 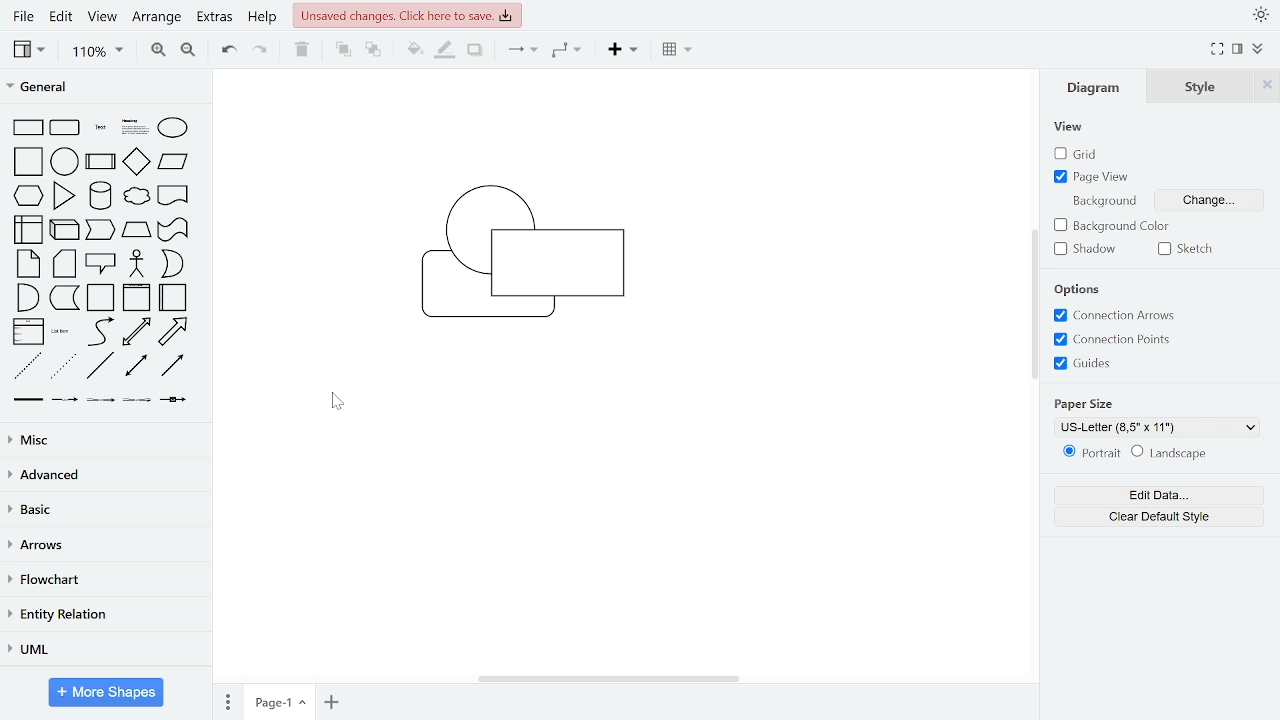 What do you see at coordinates (264, 17) in the screenshot?
I see `help` at bounding box center [264, 17].